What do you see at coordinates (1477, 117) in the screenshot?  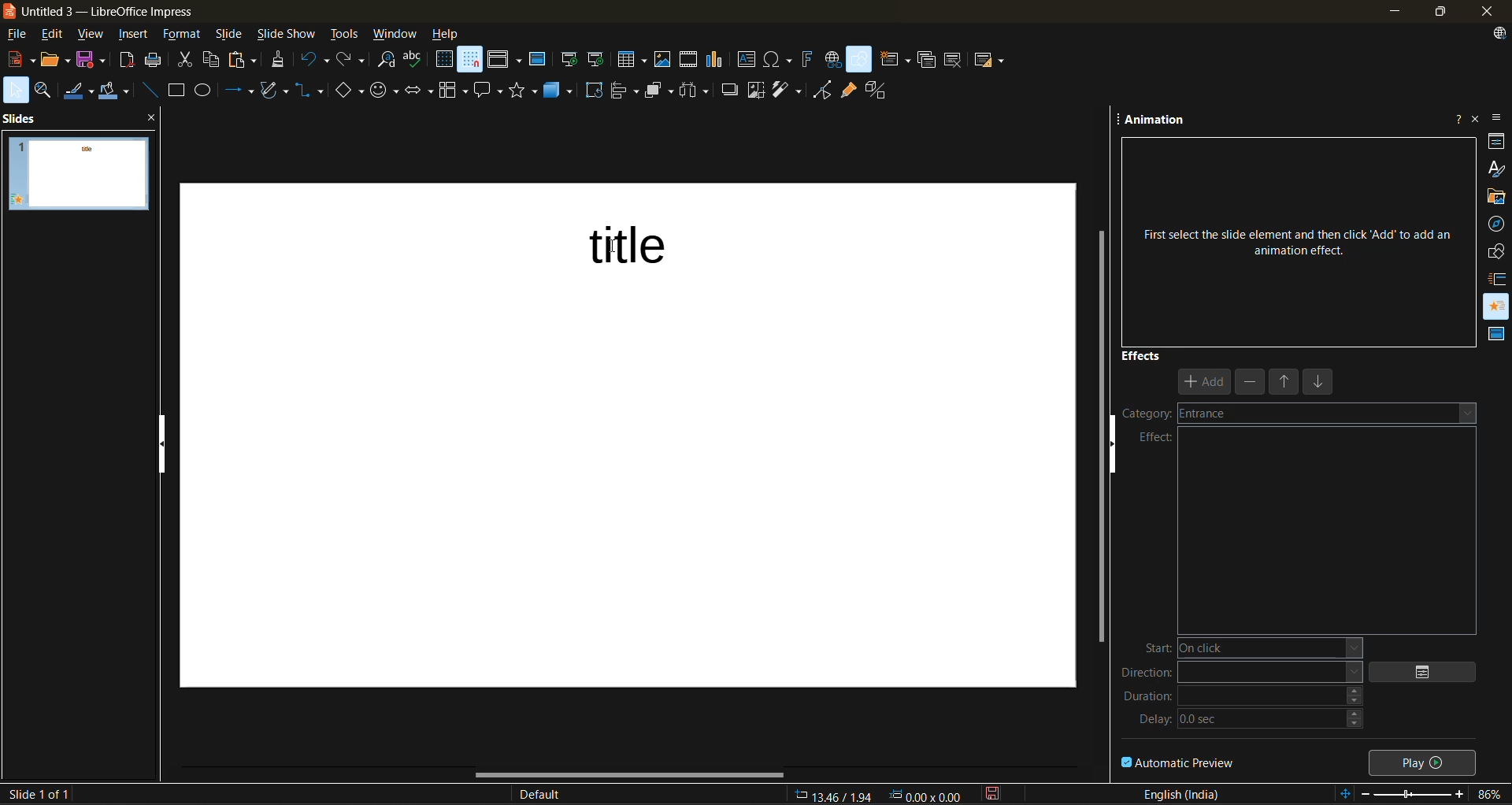 I see `close sidebar deck` at bounding box center [1477, 117].